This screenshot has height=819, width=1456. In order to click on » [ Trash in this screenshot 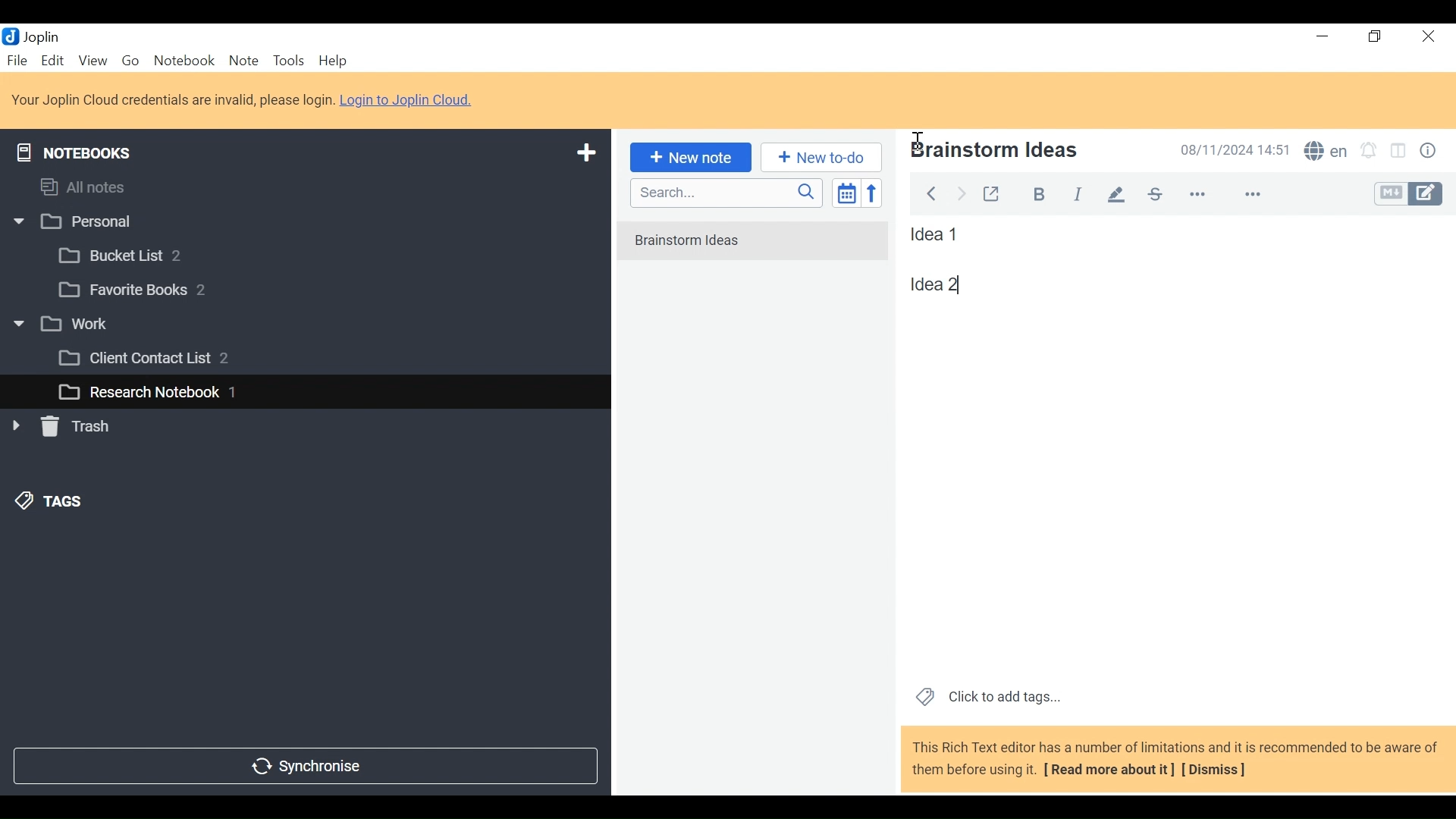, I will do `click(80, 426)`.